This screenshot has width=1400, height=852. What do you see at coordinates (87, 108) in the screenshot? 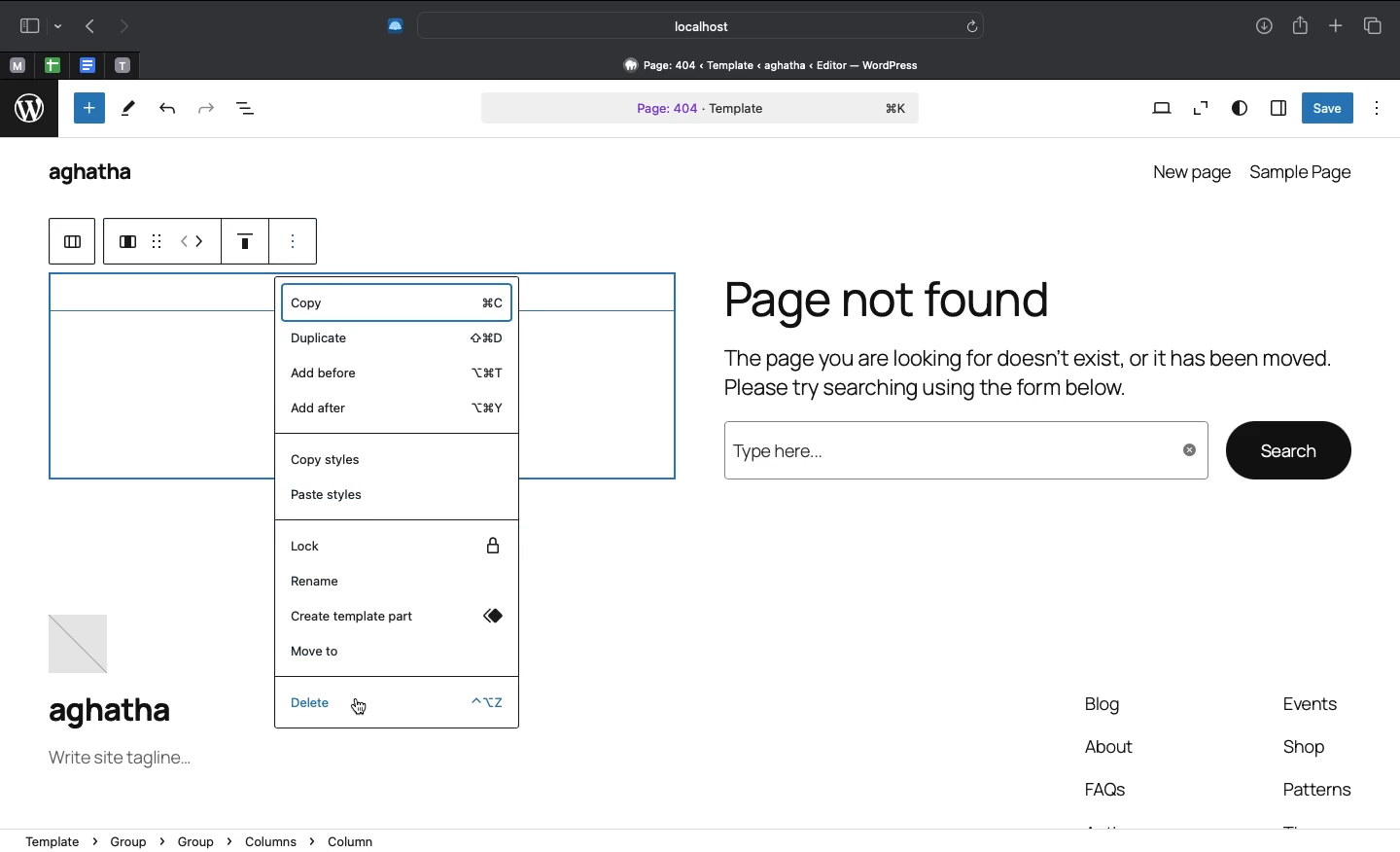
I see `Add new block` at bounding box center [87, 108].